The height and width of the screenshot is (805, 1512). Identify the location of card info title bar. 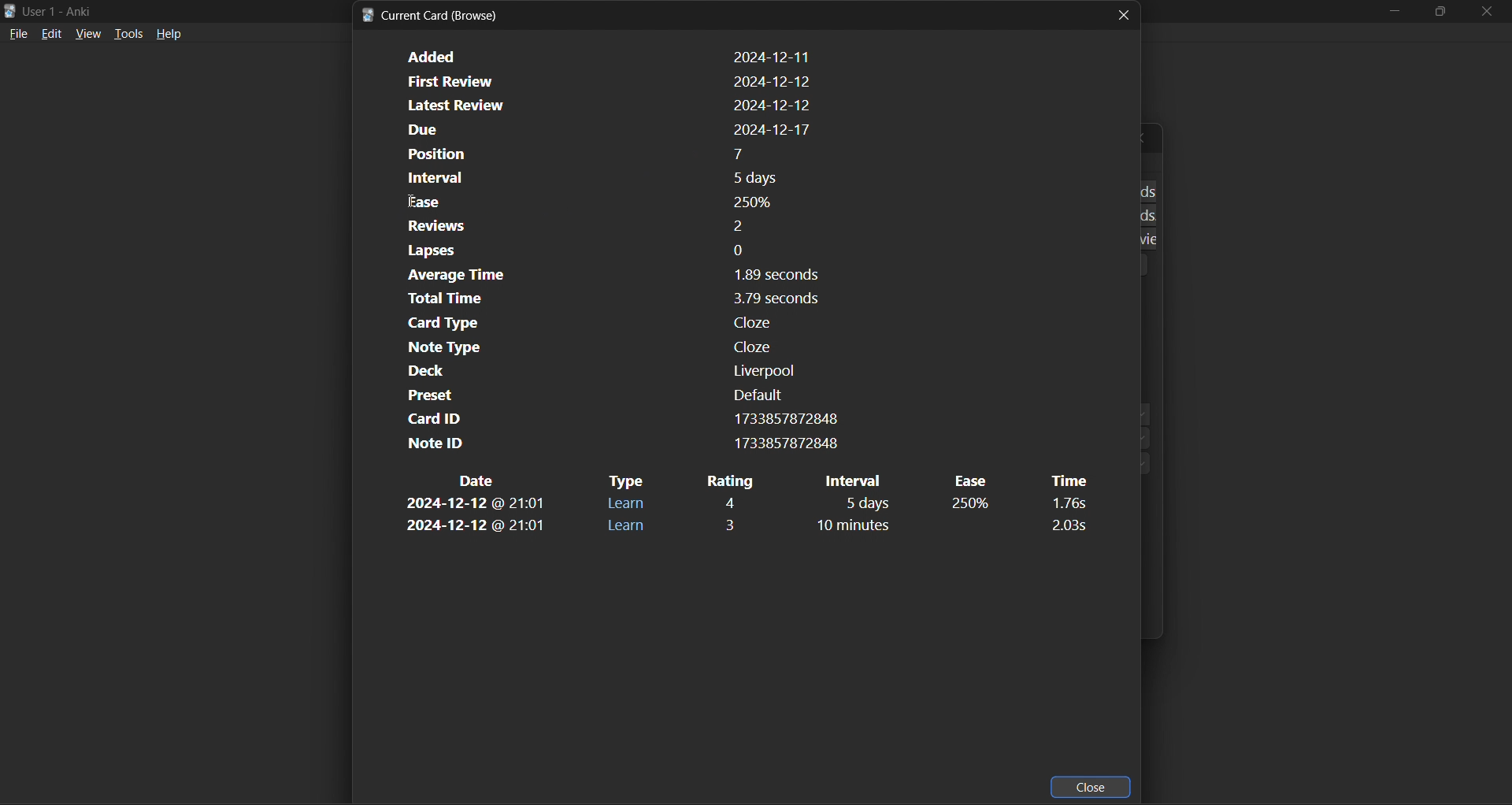
(434, 15).